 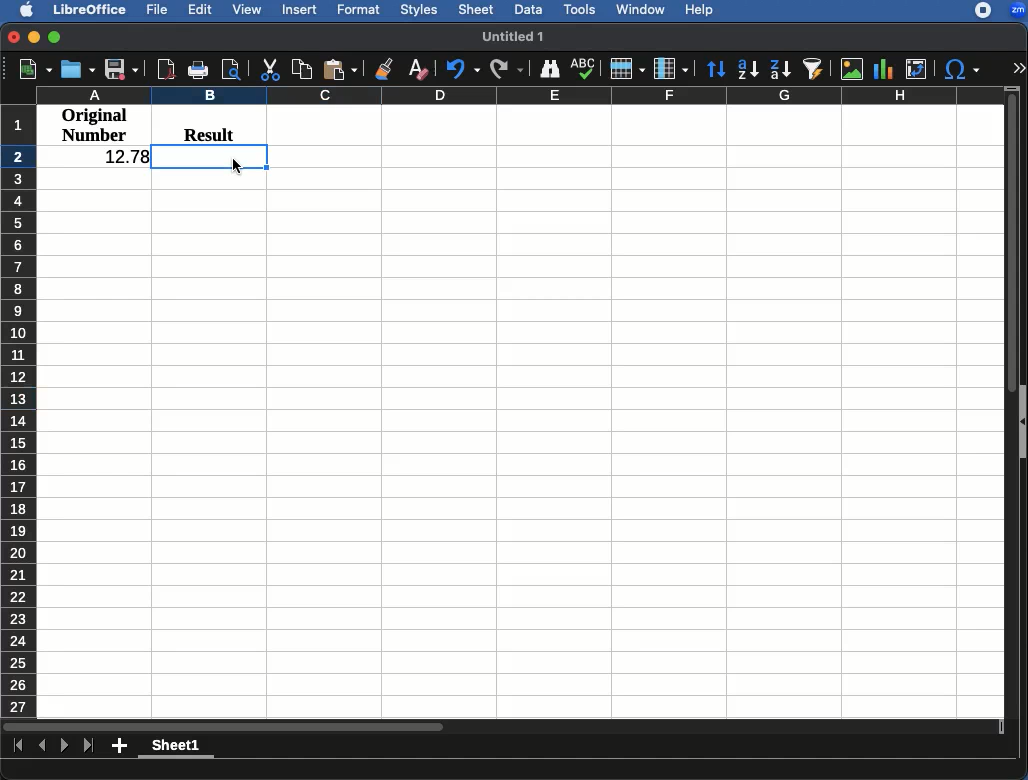 What do you see at coordinates (12, 39) in the screenshot?
I see `Close` at bounding box center [12, 39].